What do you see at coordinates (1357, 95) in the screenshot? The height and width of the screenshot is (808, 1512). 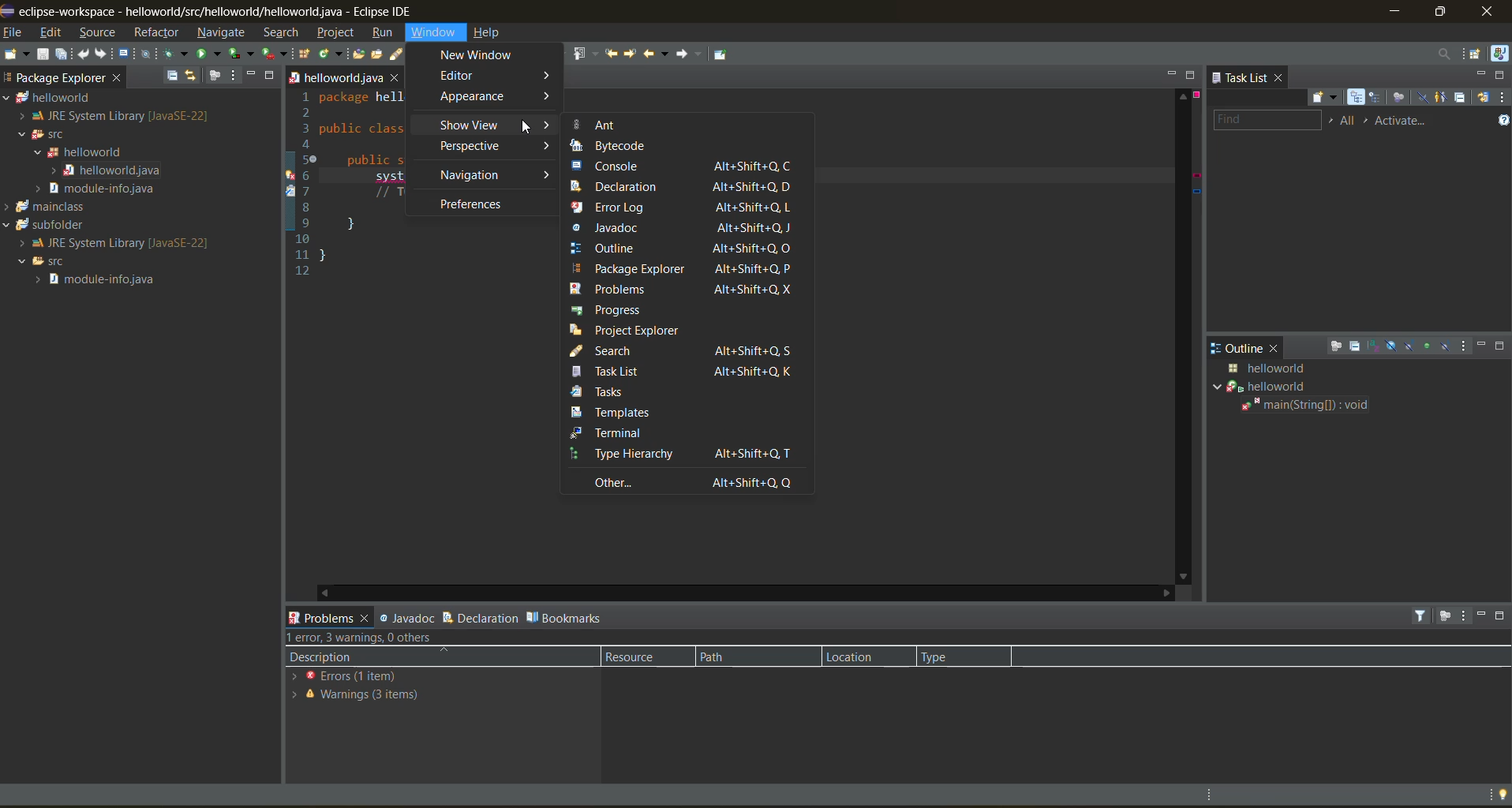 I see `categorized` at bounding box center [1357, 95].